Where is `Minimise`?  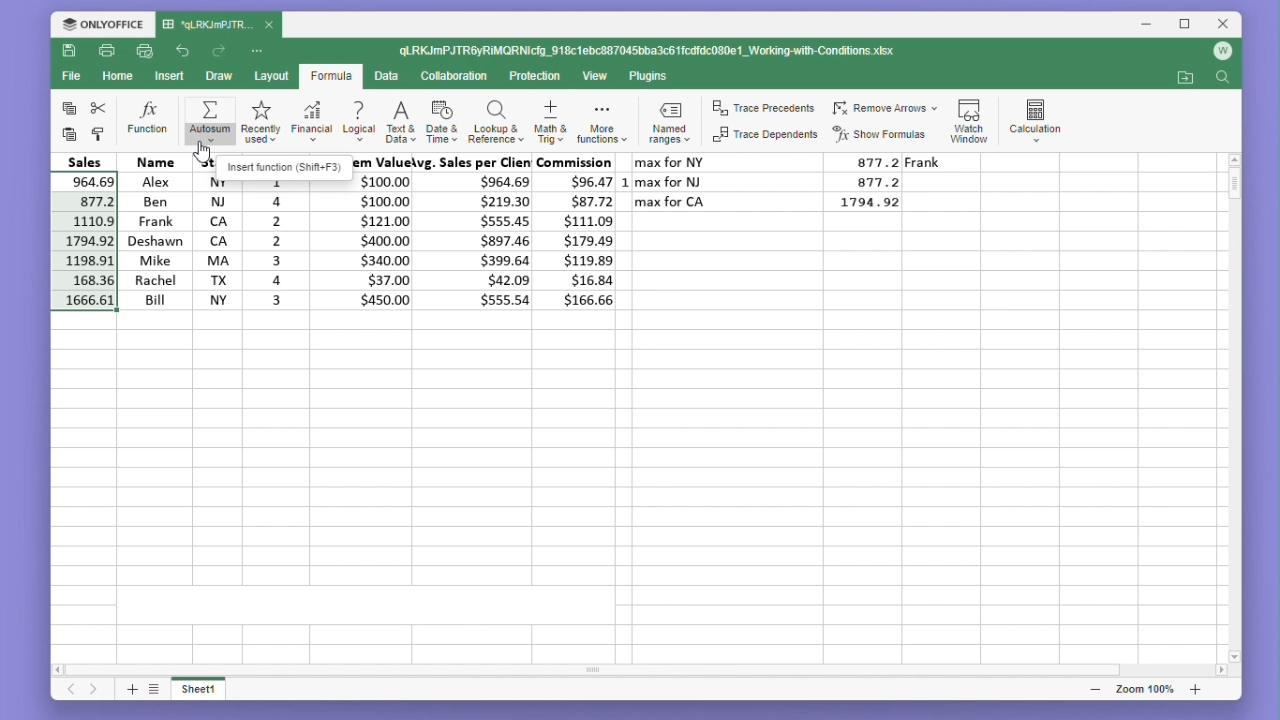
Minimise is located at coordinates (1147, 25).